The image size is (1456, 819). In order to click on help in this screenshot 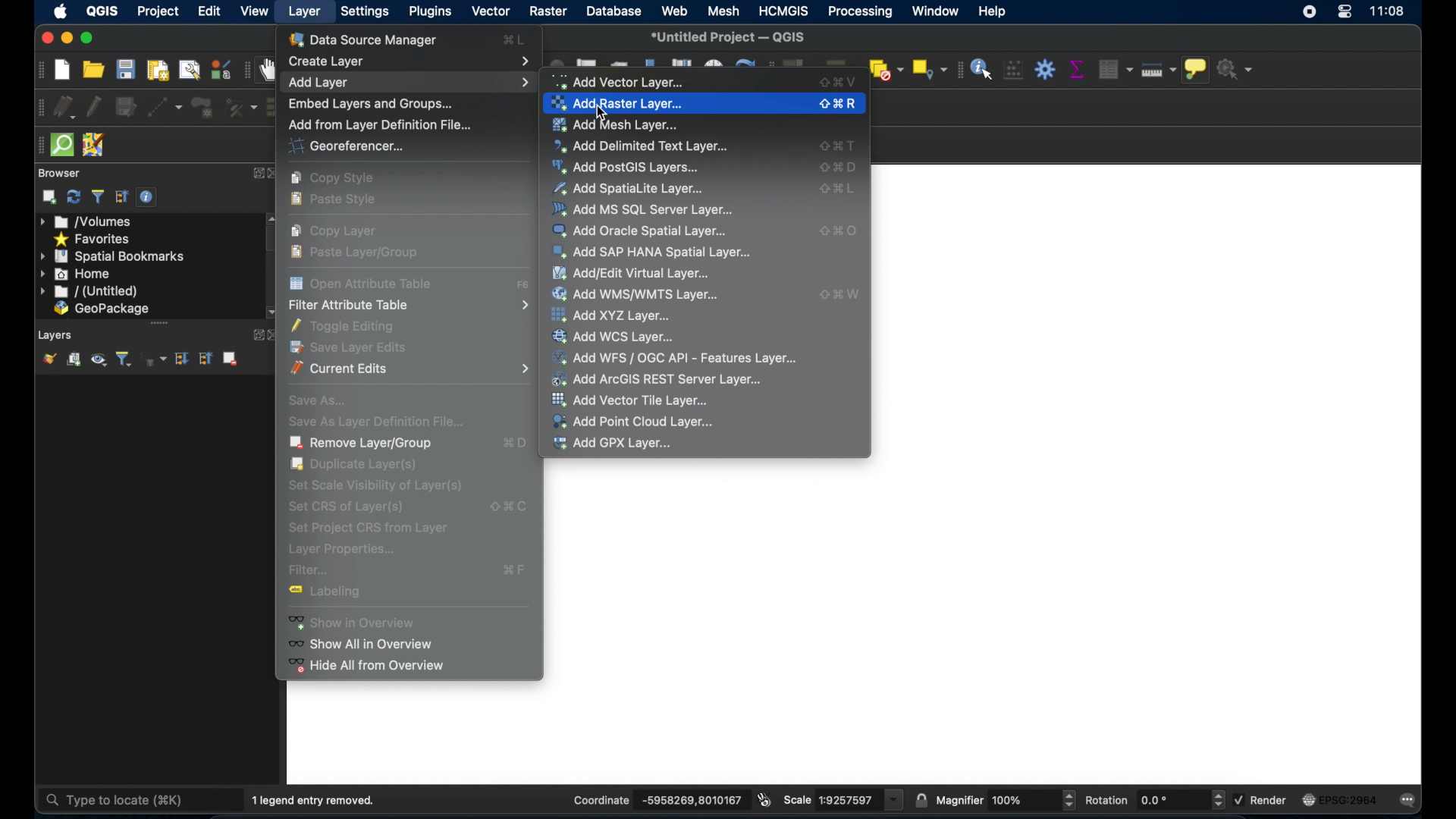, I will do `click(994, 12)`.